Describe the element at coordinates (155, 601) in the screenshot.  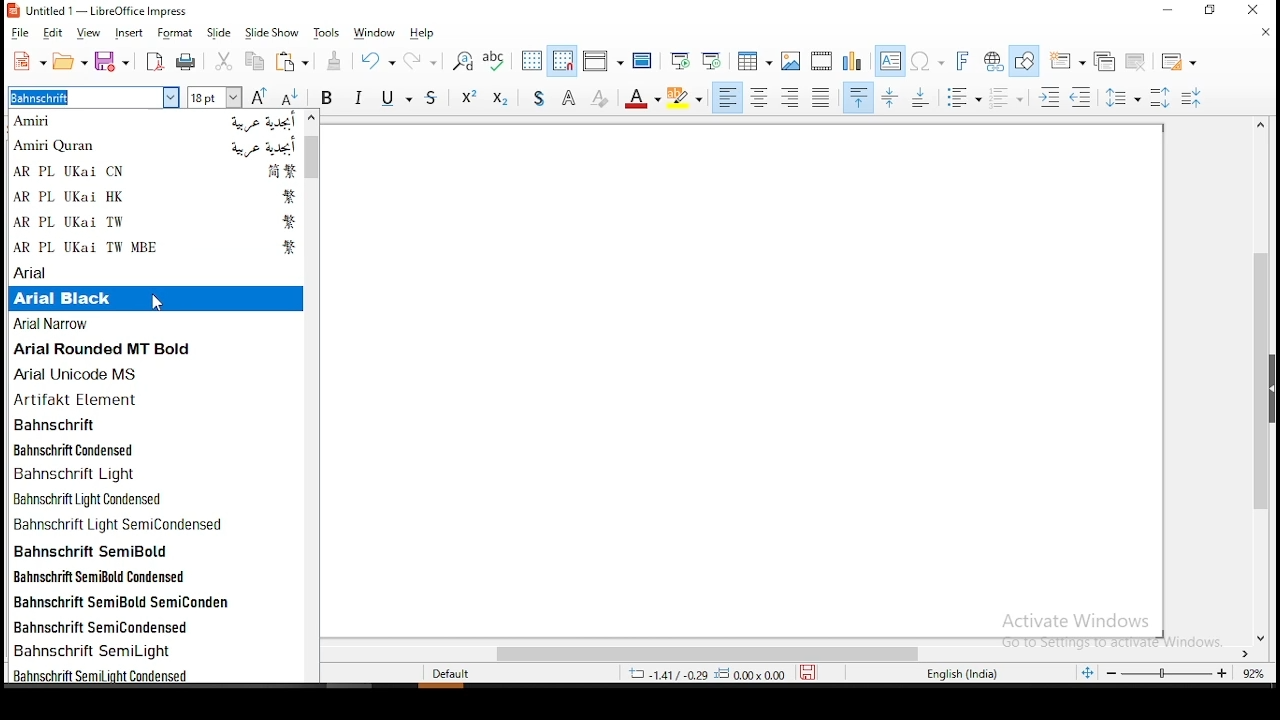
I see `bahnschrift semibold semiconden` at that location.